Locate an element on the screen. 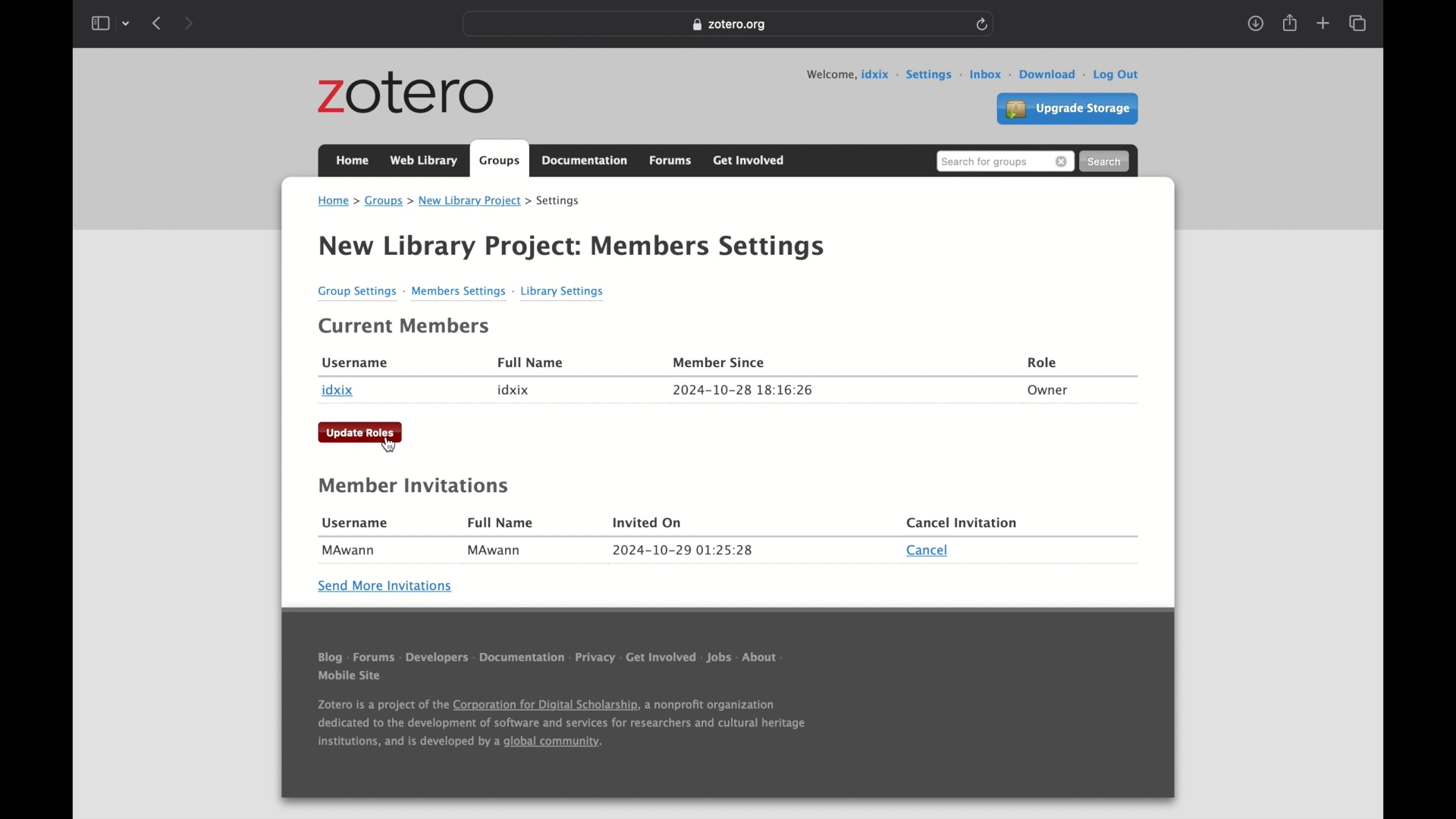  log out is located at coordinates (1116, 73).